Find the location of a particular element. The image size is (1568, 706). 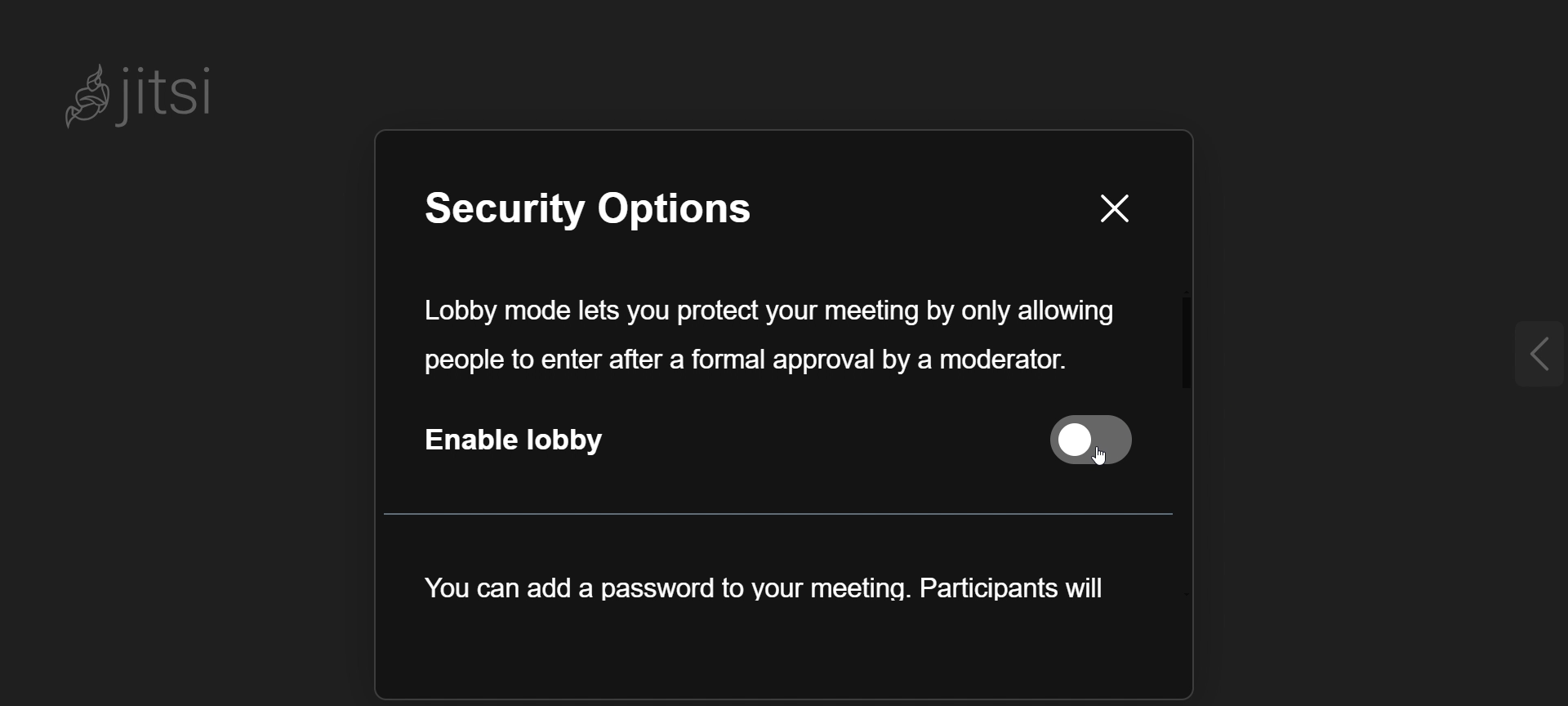

Security options is located at coordinates (623, 212).